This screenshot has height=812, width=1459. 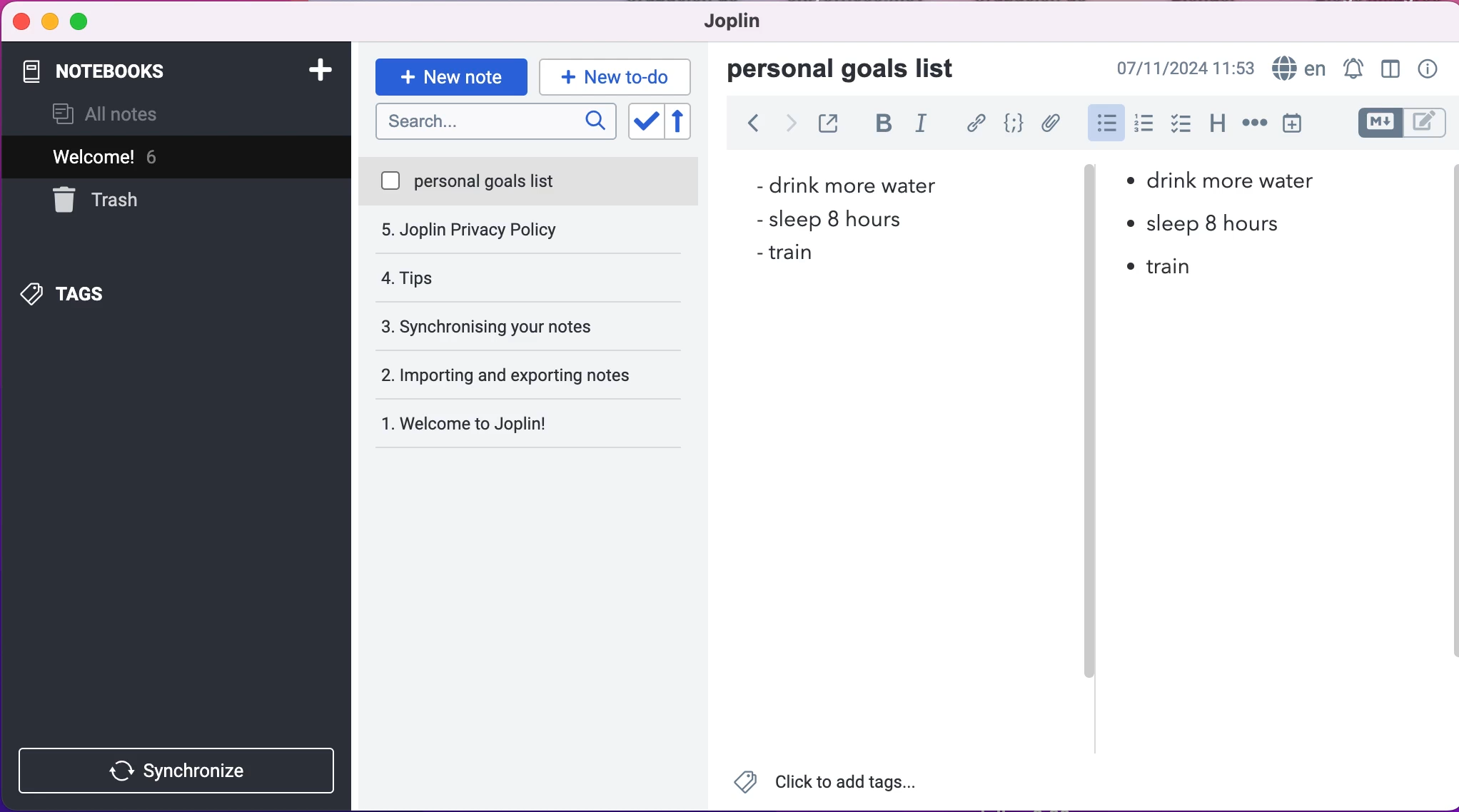 I want to click on Click to add tags..., so click(x=834, y=783).